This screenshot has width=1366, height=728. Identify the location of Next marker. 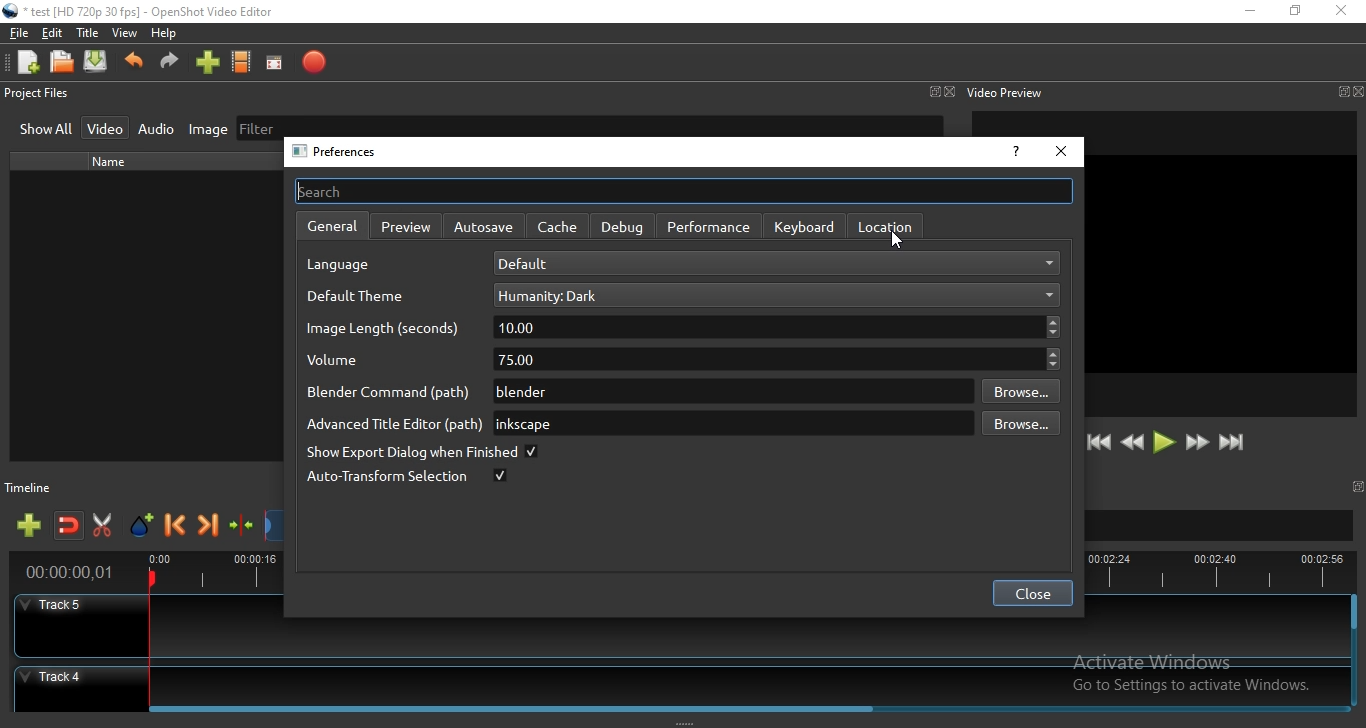
(209, 528).